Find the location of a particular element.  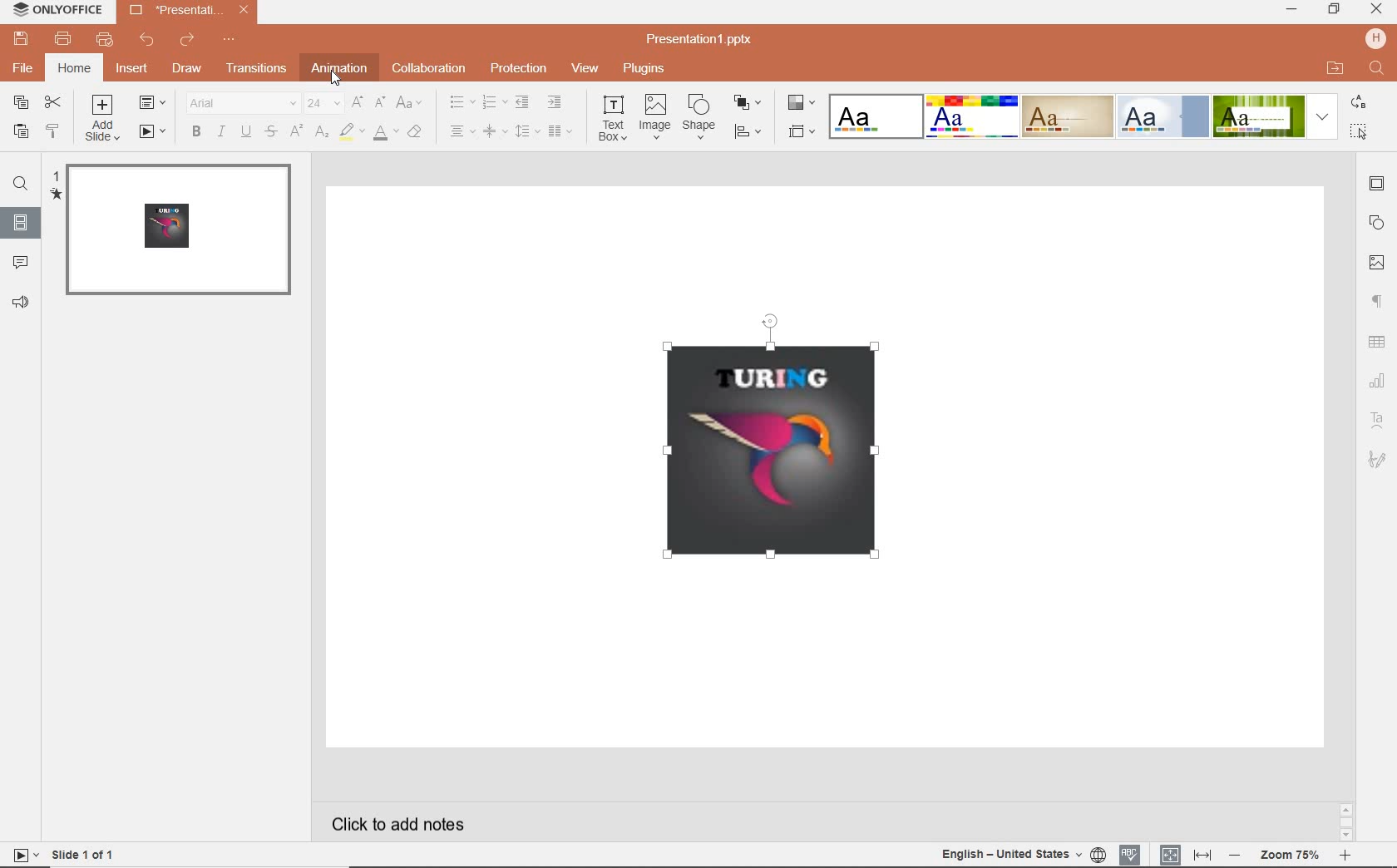

blank is located at coordinates (874, 116).